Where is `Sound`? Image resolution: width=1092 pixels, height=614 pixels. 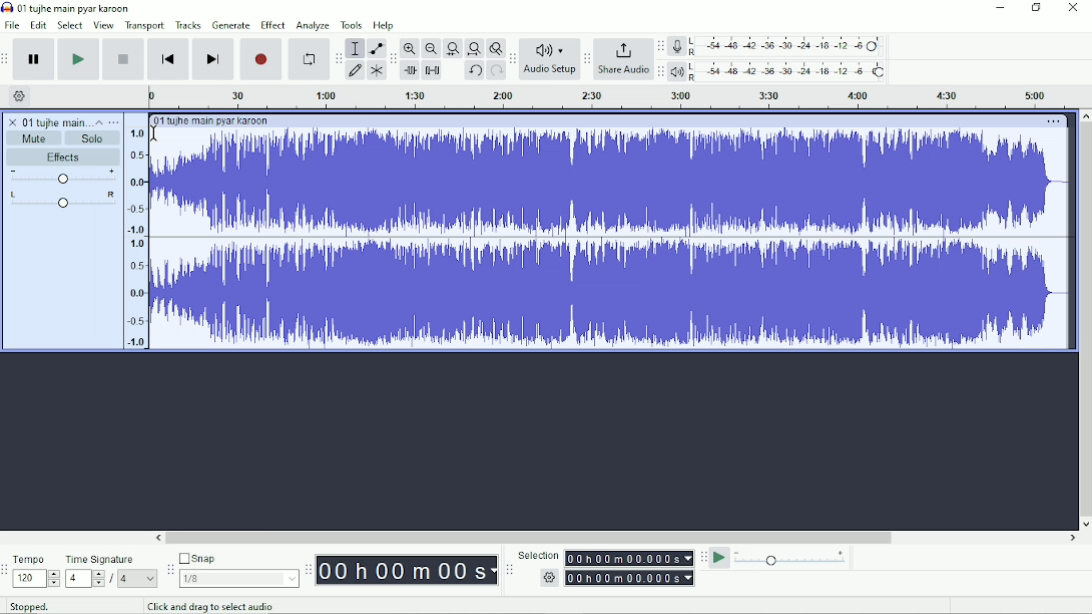 Sound is located at coordinates (135, 232).